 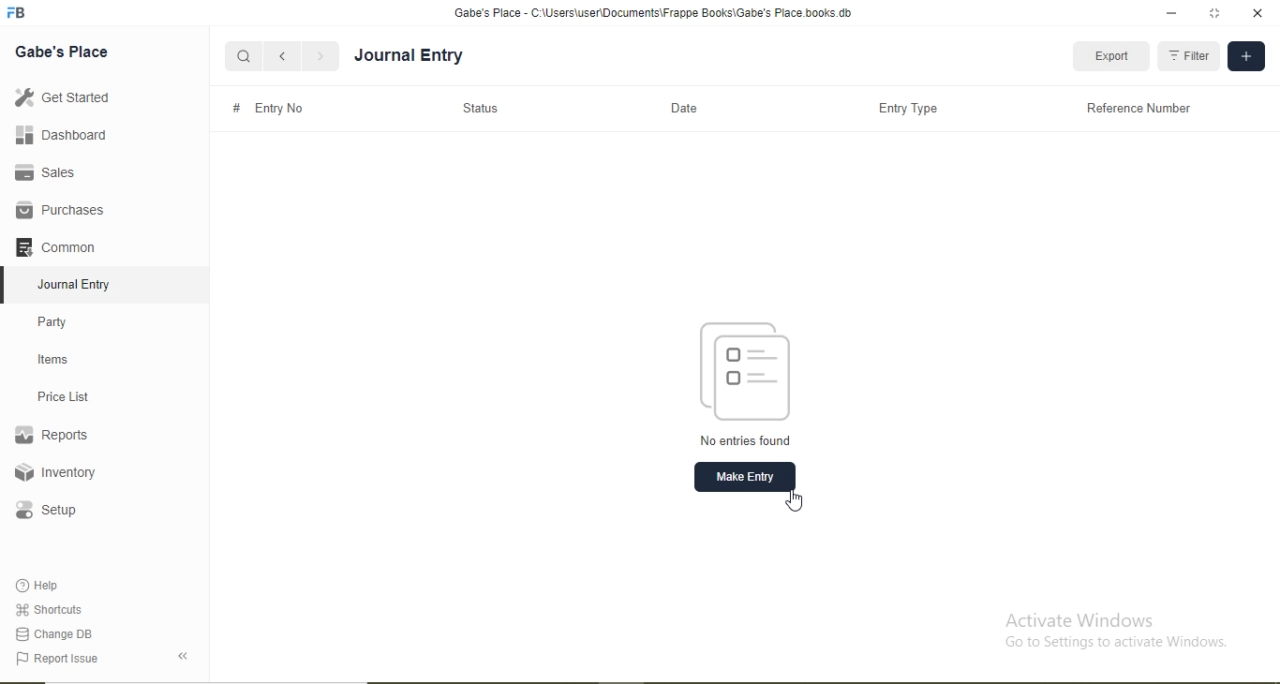 What do you see at coordinates (39, 585) in the screenshot?
I see `Help` at bounding box center [39, 585].